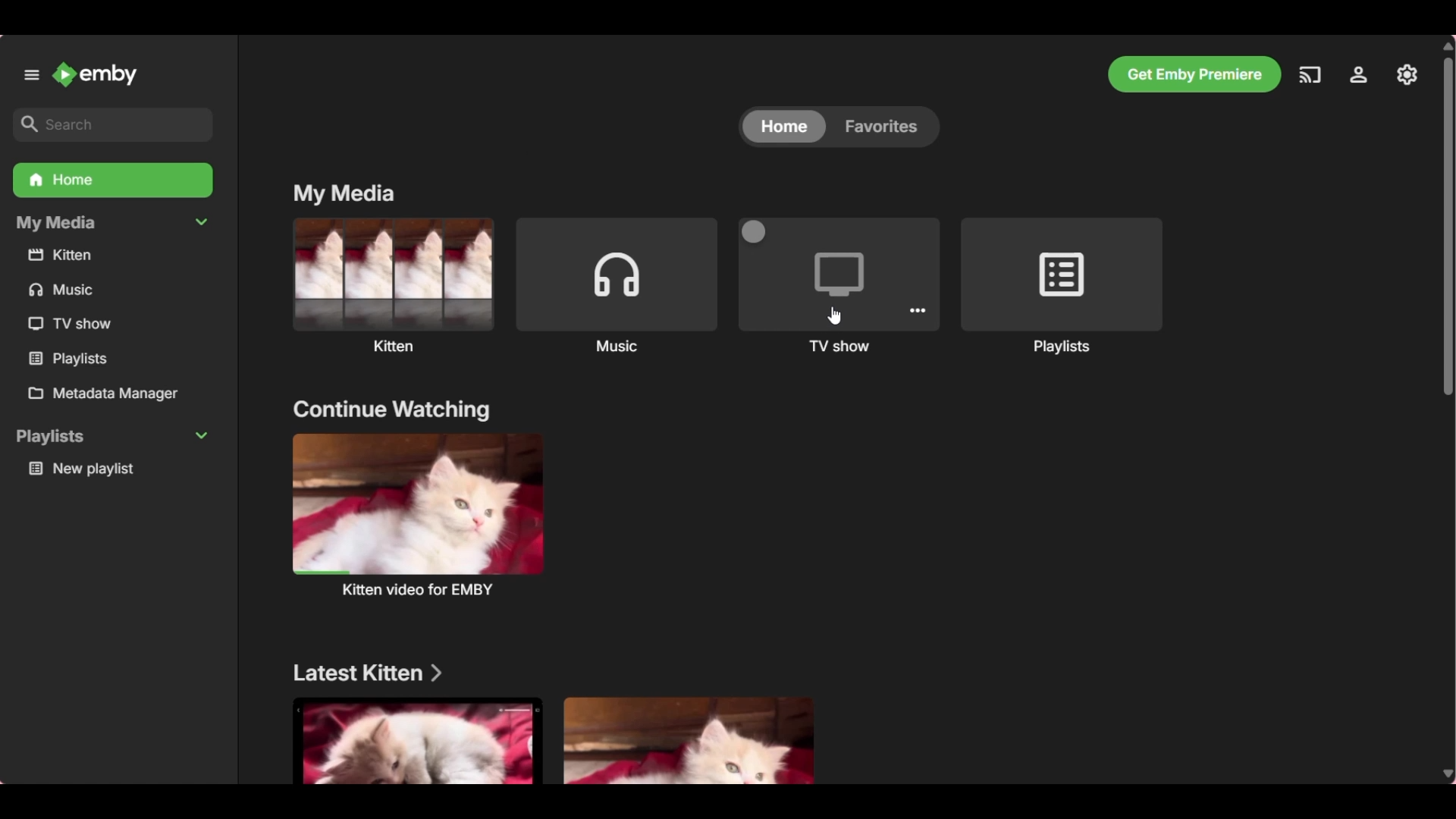 The height and width of the screenshot is (819, 1456). What do you see at coordinates (391, 410) in the screenshot?
I see `Section title` at bounding box center [391, 410].